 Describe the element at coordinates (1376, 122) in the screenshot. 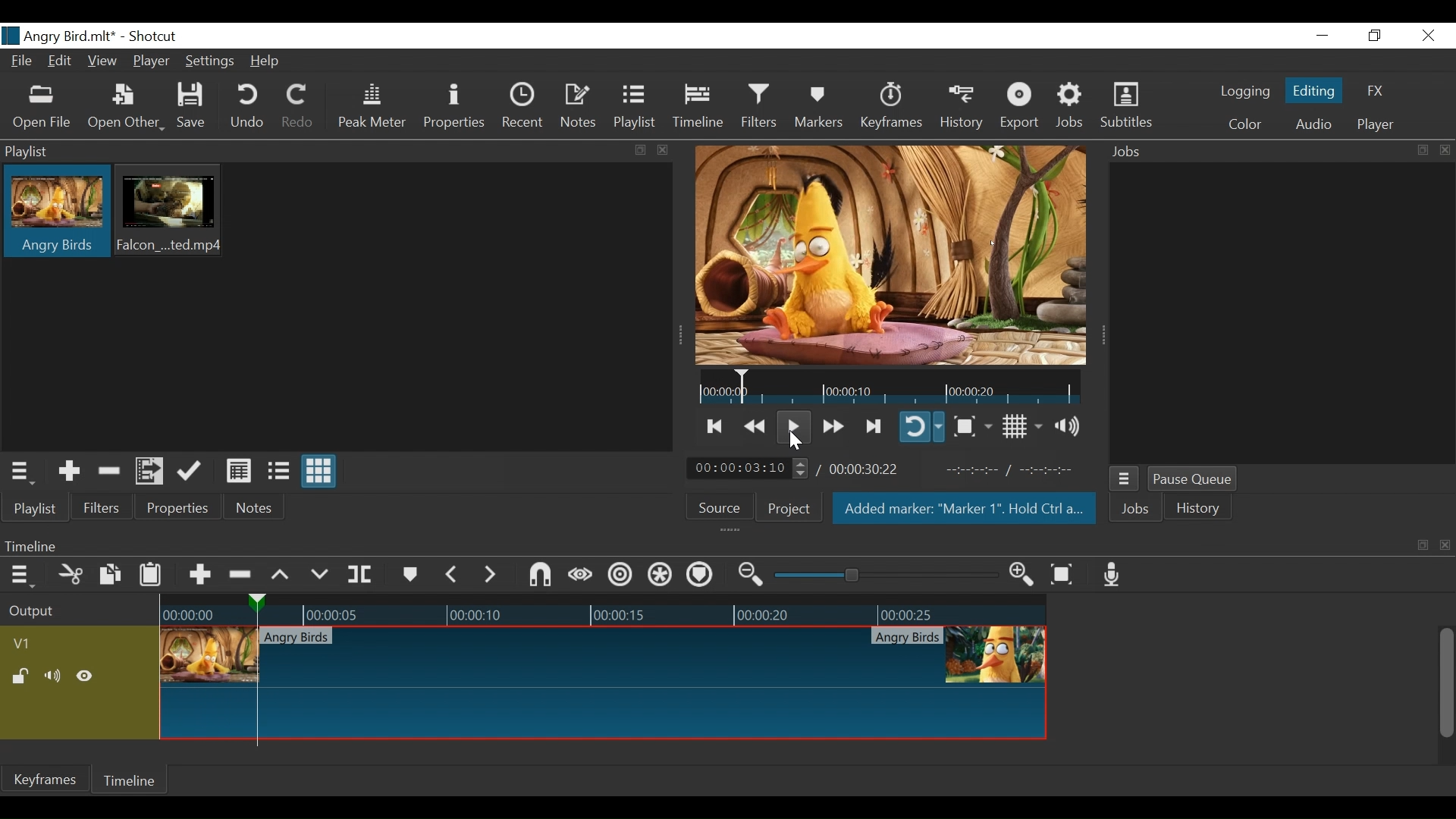

I see `Player` at that location.